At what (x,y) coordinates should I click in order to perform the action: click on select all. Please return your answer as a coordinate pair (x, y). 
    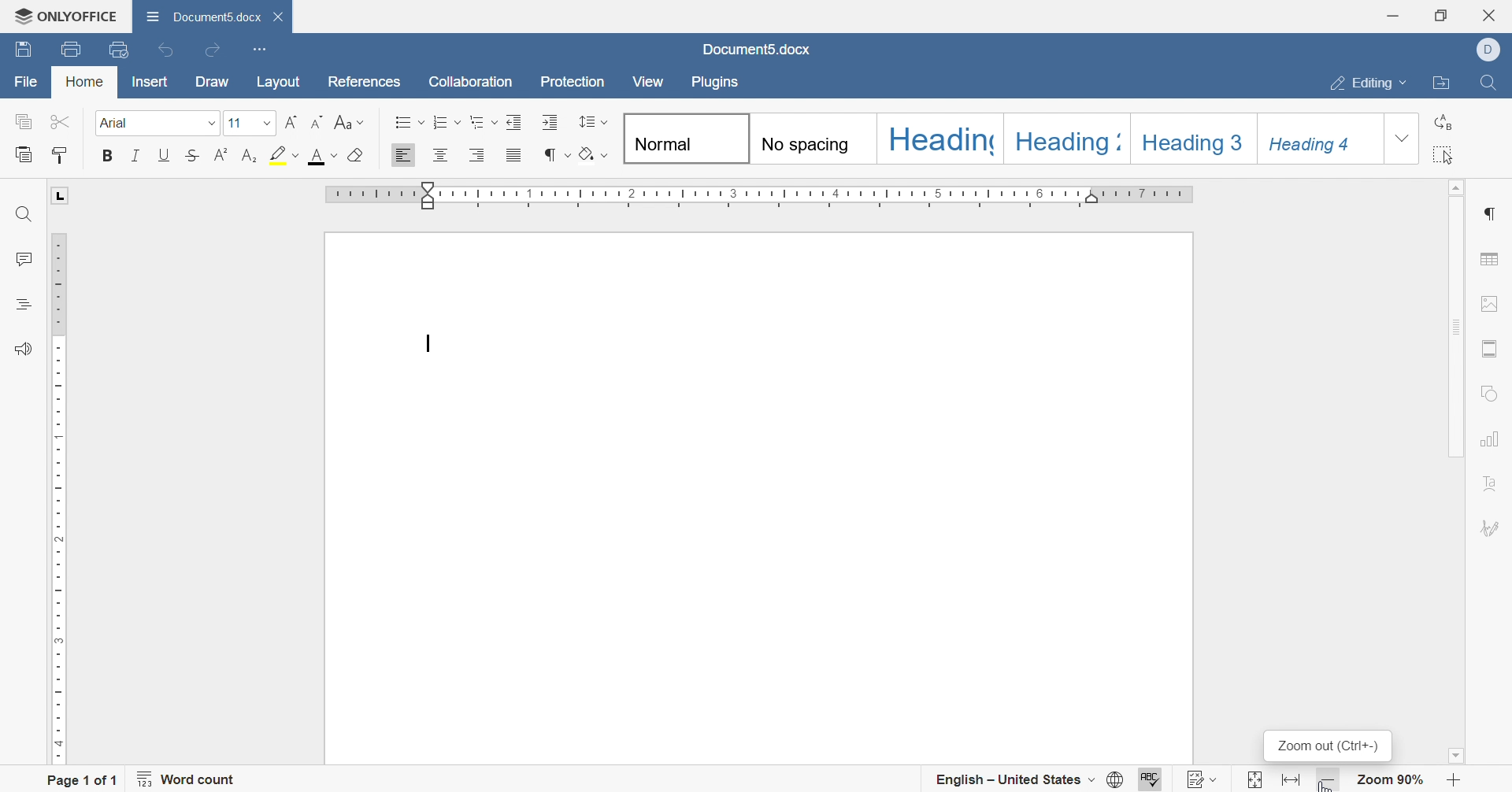
    Looking at the image, I should click on (1447, 155).